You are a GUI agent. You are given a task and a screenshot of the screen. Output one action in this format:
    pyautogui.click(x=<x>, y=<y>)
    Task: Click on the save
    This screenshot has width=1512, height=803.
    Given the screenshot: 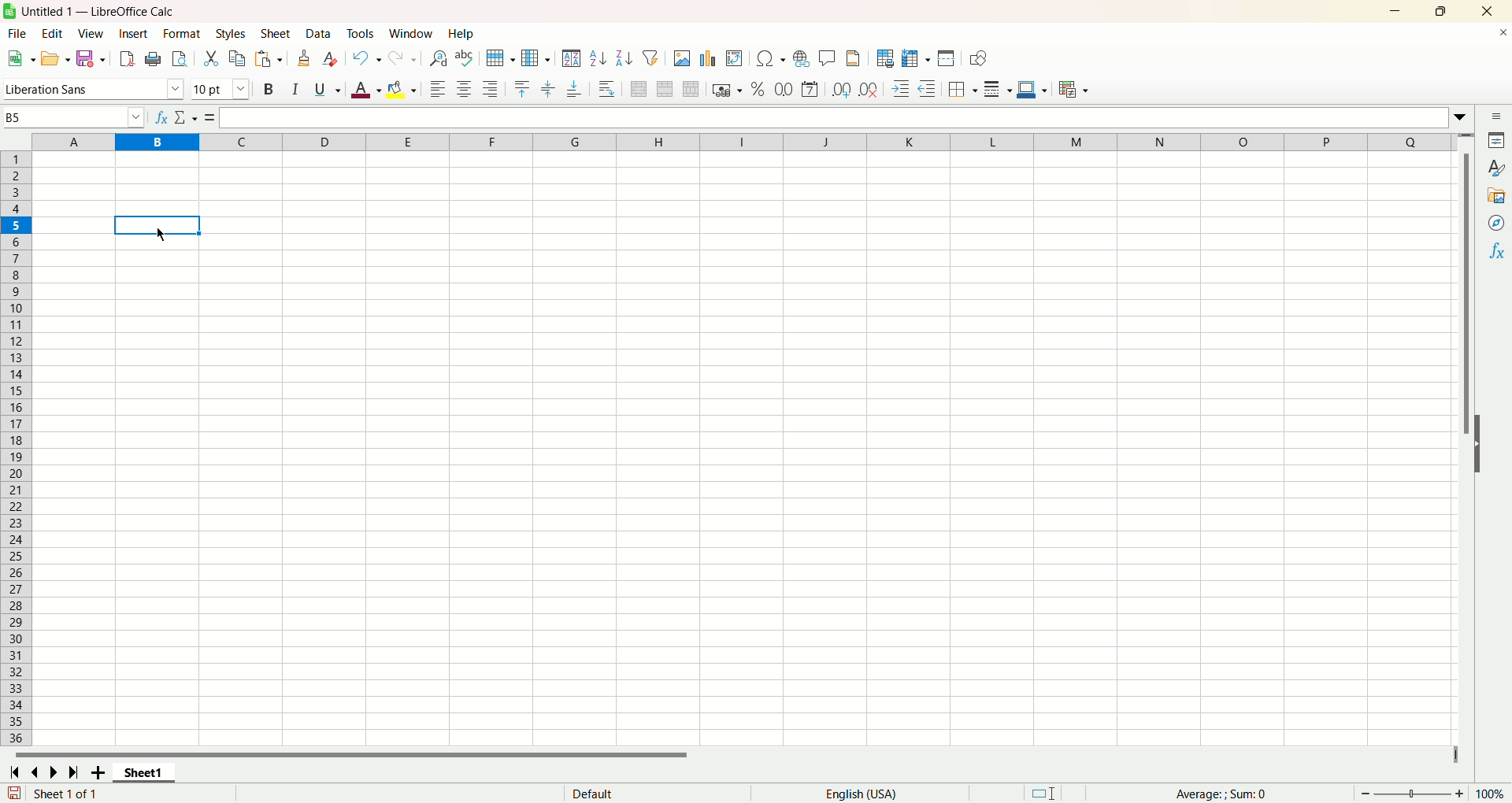 What is the action you would take?
    pyautogui.click(x=91, y=60)
    